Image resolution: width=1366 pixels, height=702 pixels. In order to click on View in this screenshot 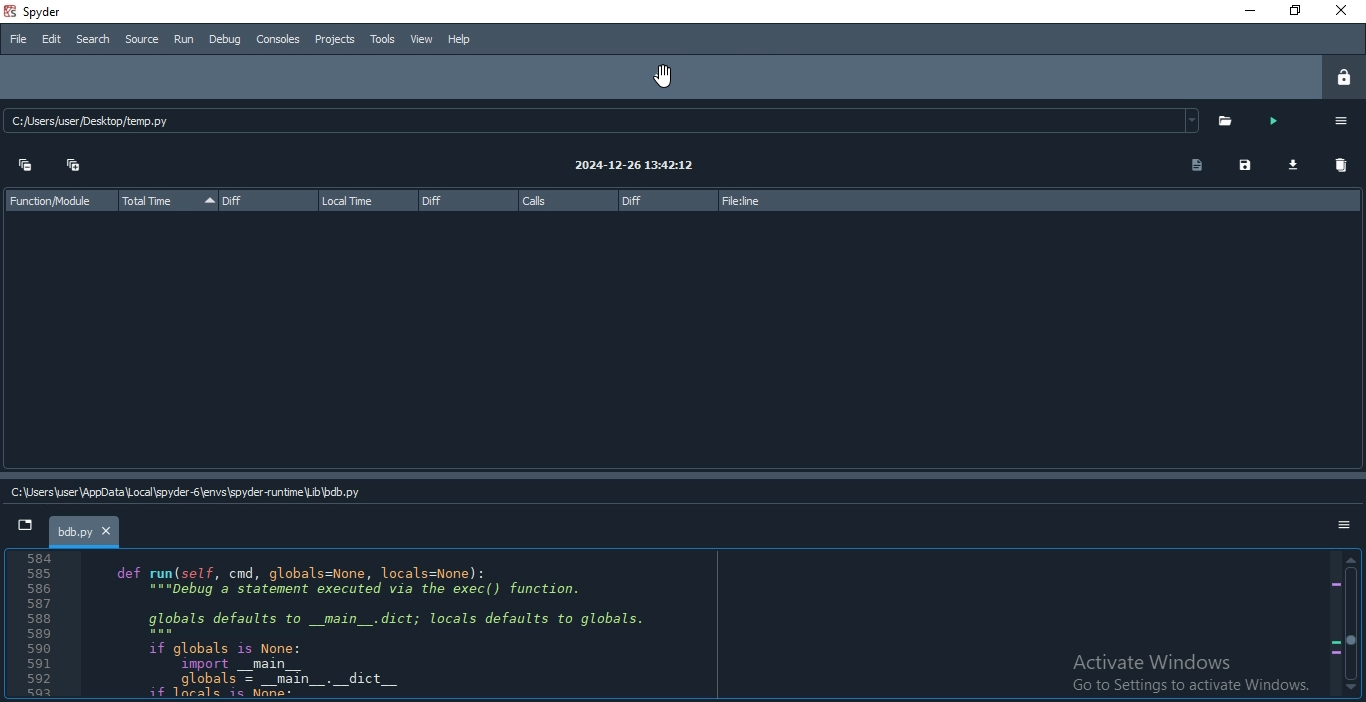, I will do `click(422, 40)`.